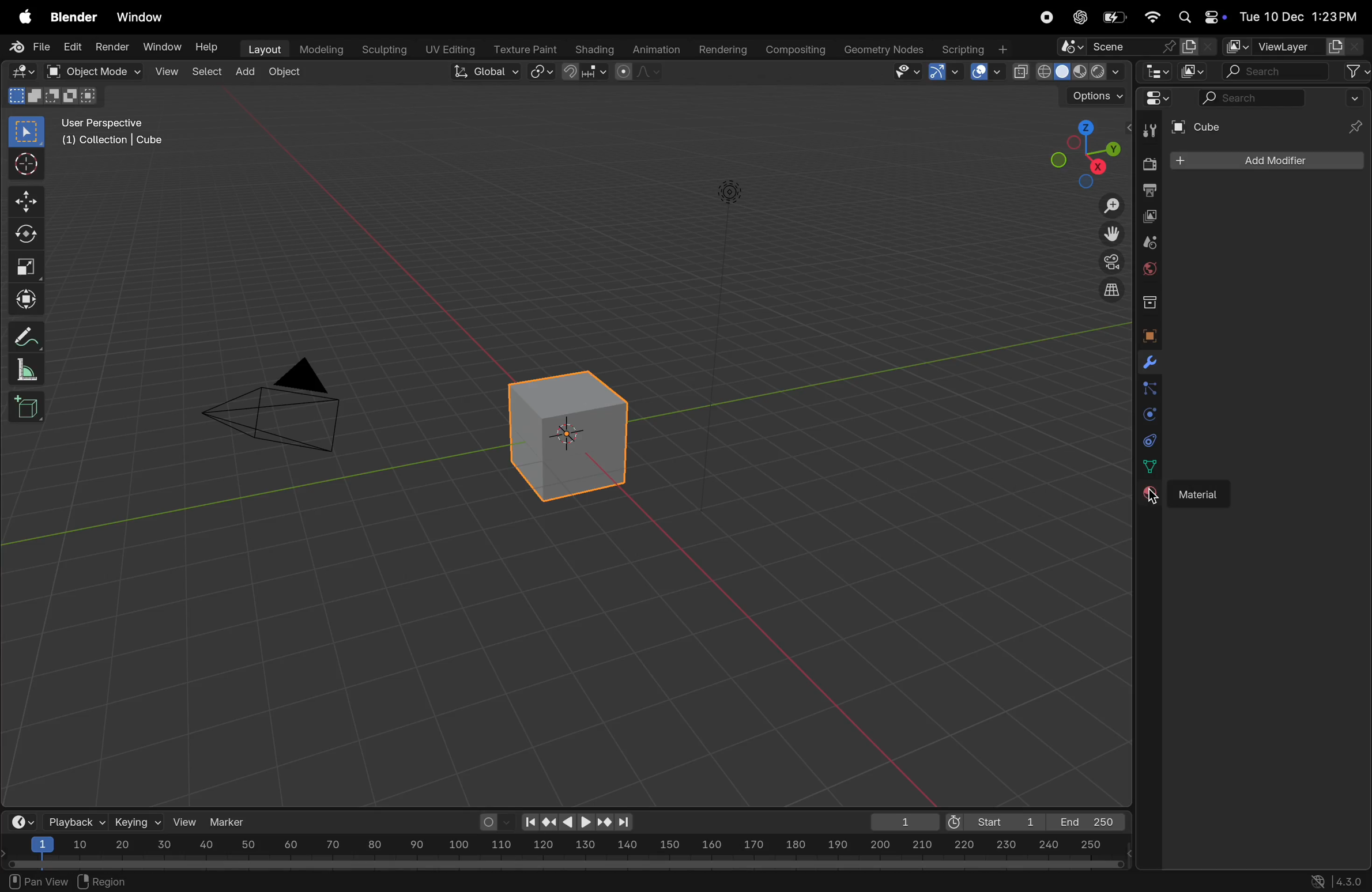 The image size is (1372, 892). What do you see at coordinates (320, 48) in the screenshot?
I see `modelling` at bounding box center [320, 48].